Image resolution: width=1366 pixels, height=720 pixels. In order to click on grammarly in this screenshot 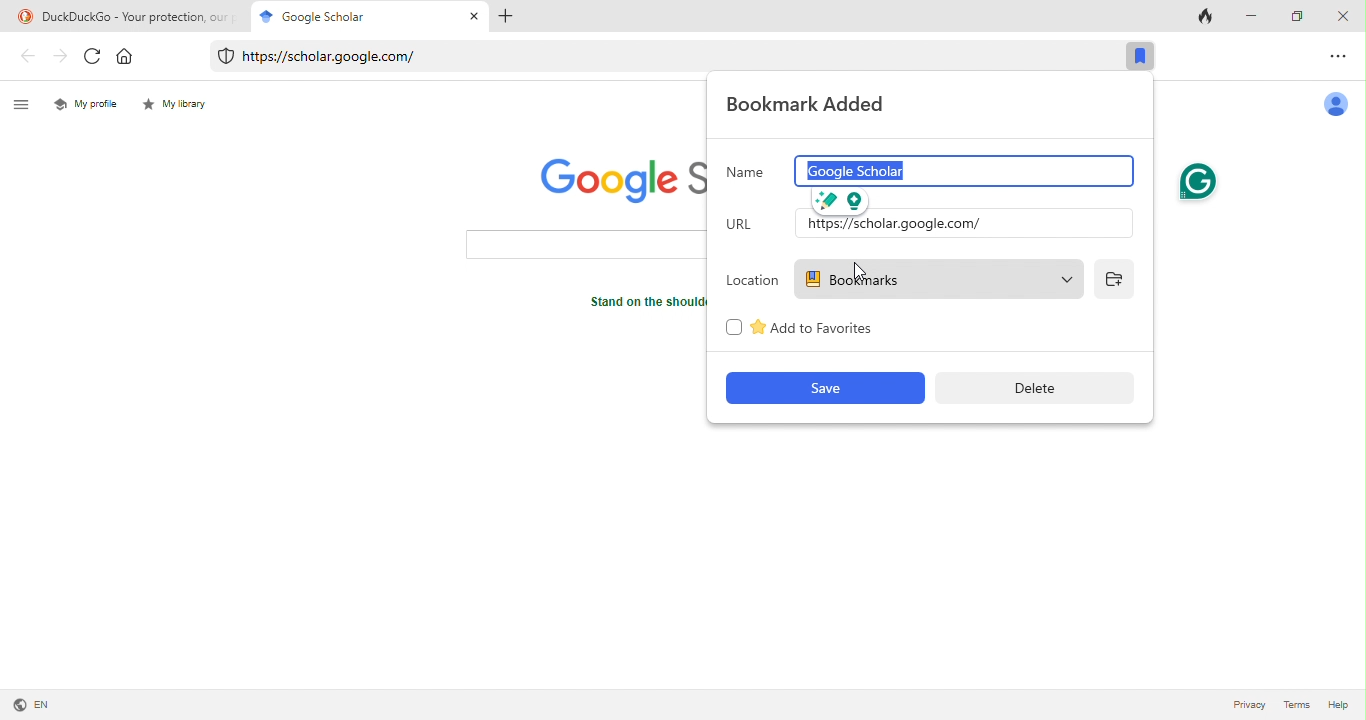, I will do `click(1203, 183)`.